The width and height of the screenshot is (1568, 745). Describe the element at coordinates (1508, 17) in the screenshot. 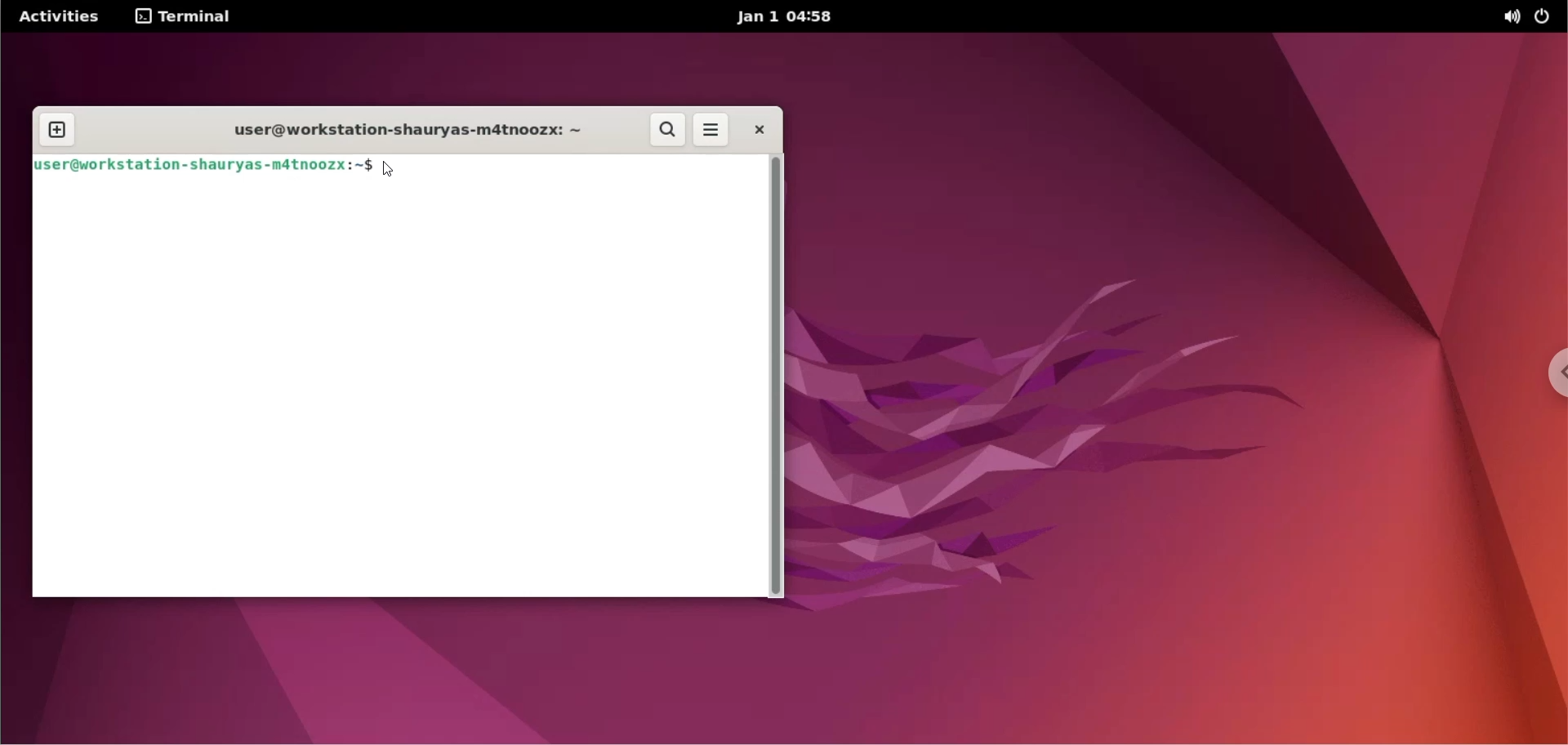

I see `sound options` at that location.